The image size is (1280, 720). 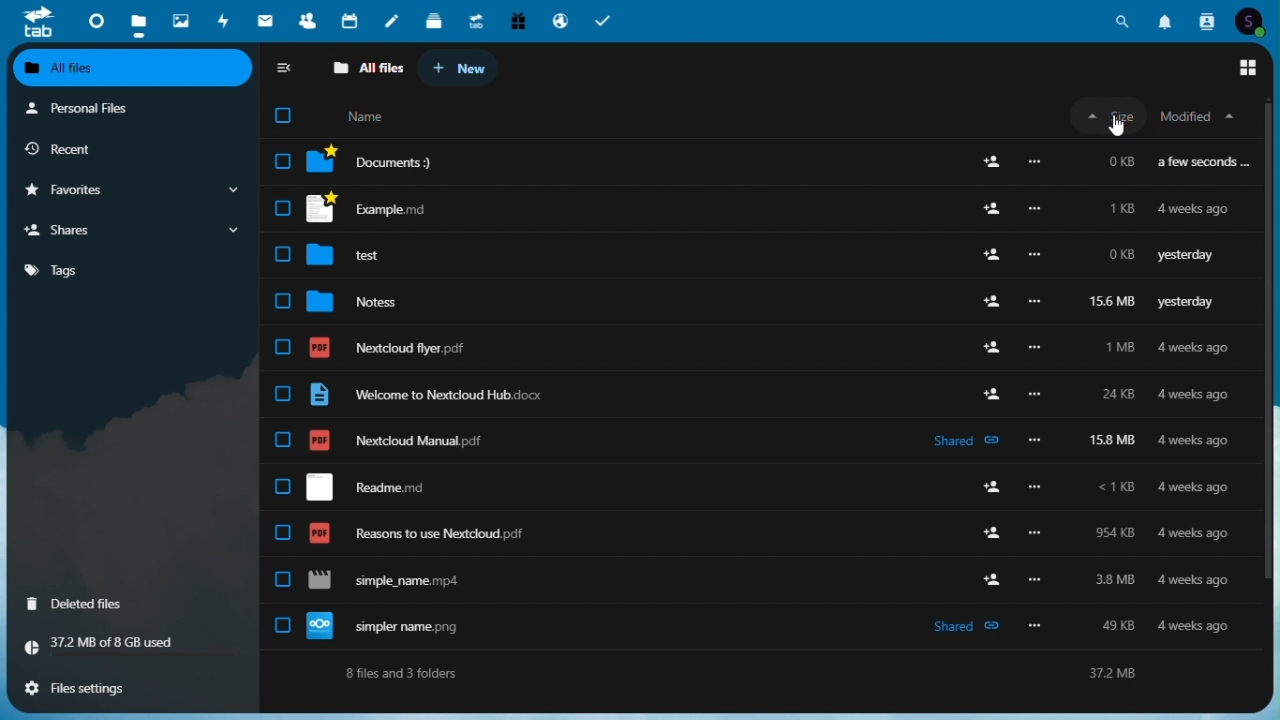 I want to click on Checkbox, so click(x=283, y=120).